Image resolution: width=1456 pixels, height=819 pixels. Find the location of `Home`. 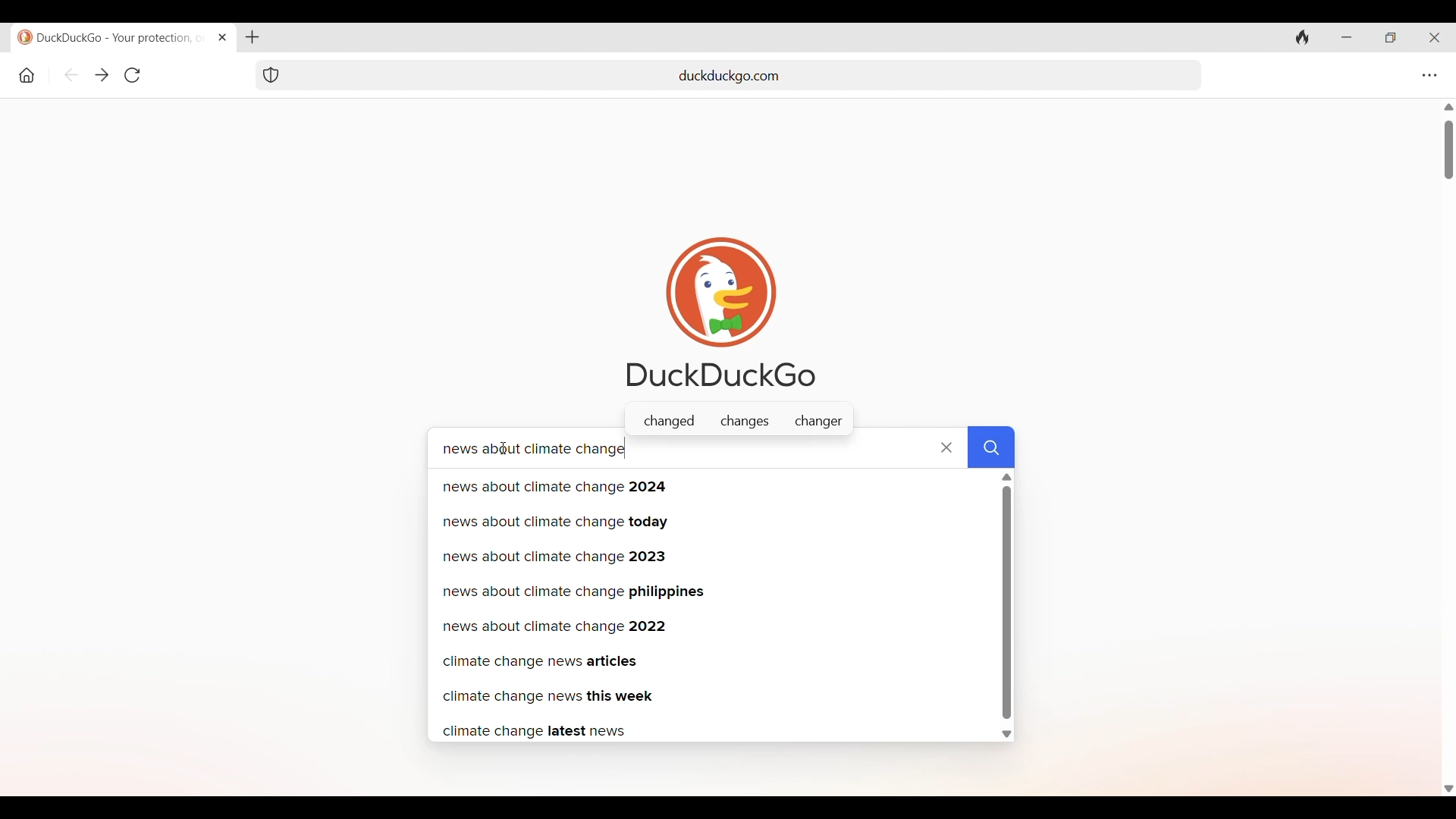

Home is located at coordinates (27, 76).